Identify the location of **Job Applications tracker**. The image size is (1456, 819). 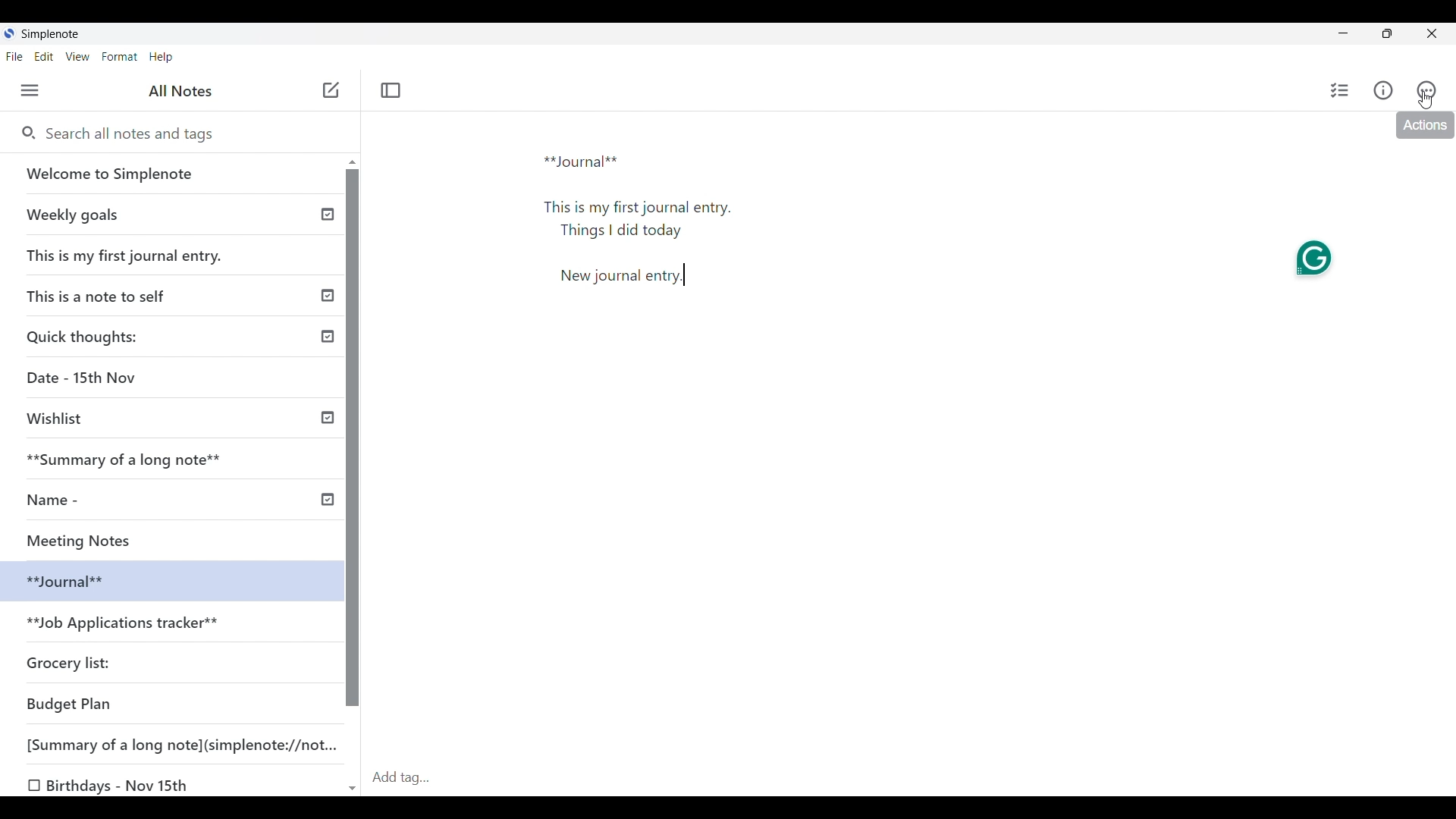
(126, 624).